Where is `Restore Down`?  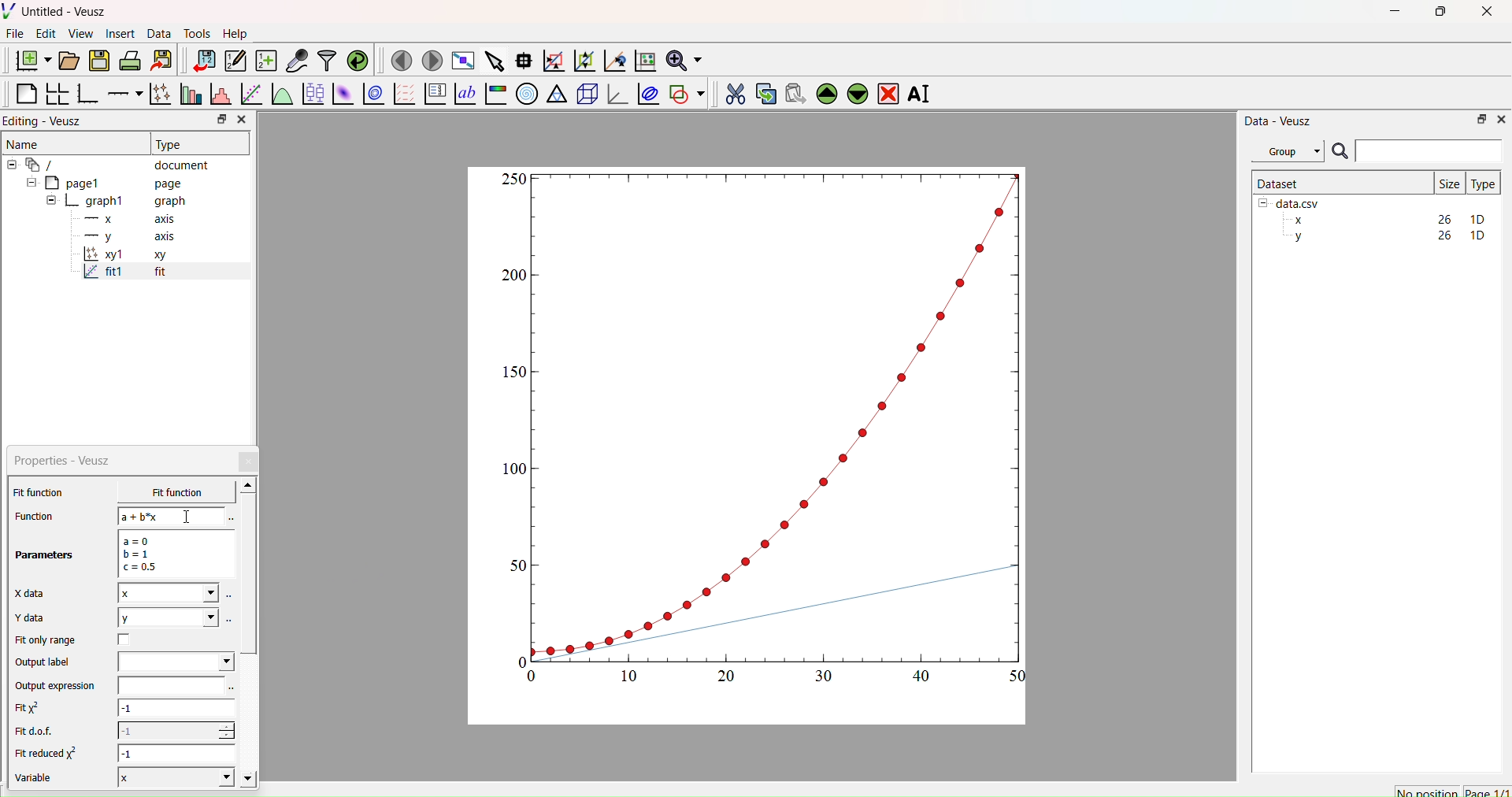 Restore Down is located at coordinates (1437, 13).